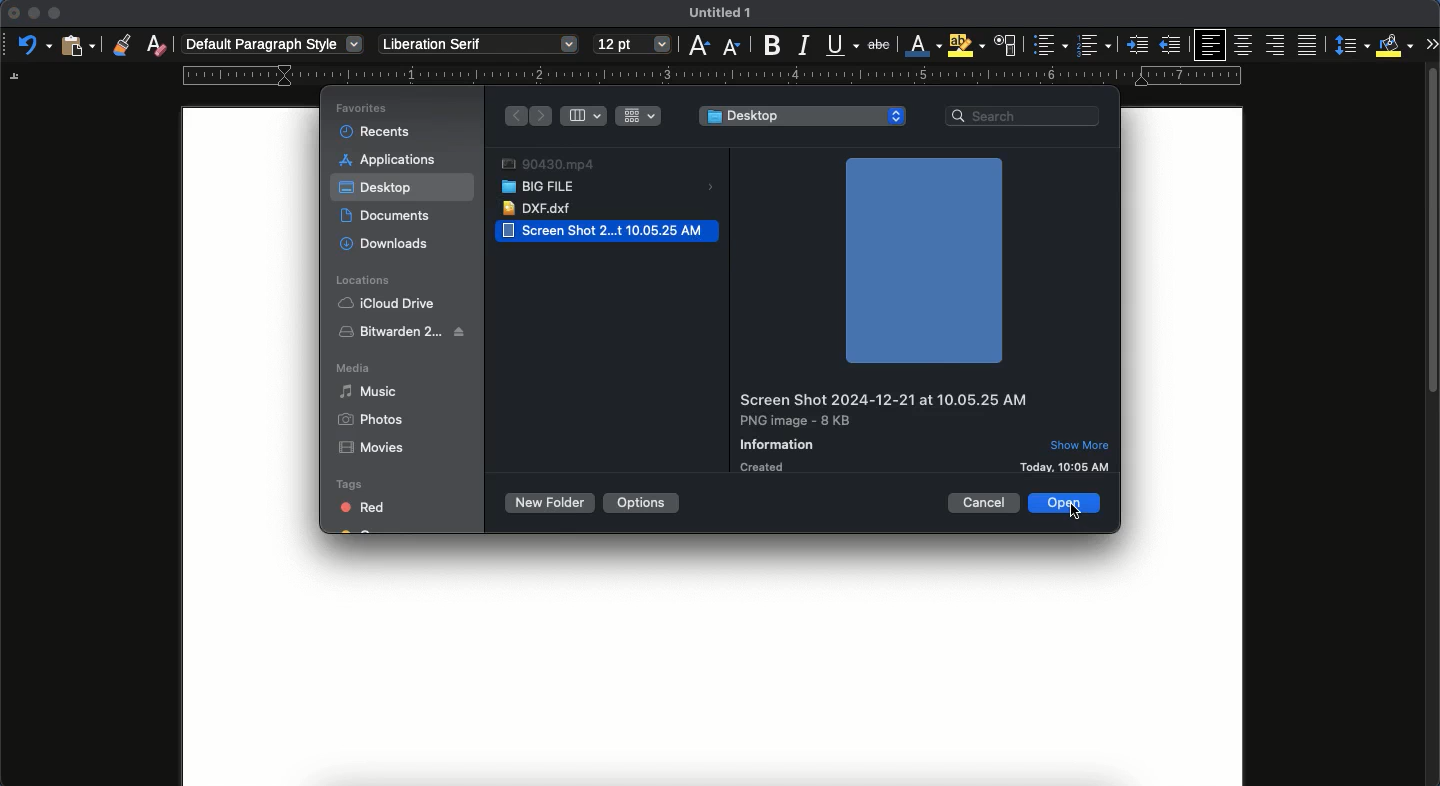 The image size is (1440, 786). Describe the element at coordinates (56, 12) in the screenshot. I see `maximize` at that location.